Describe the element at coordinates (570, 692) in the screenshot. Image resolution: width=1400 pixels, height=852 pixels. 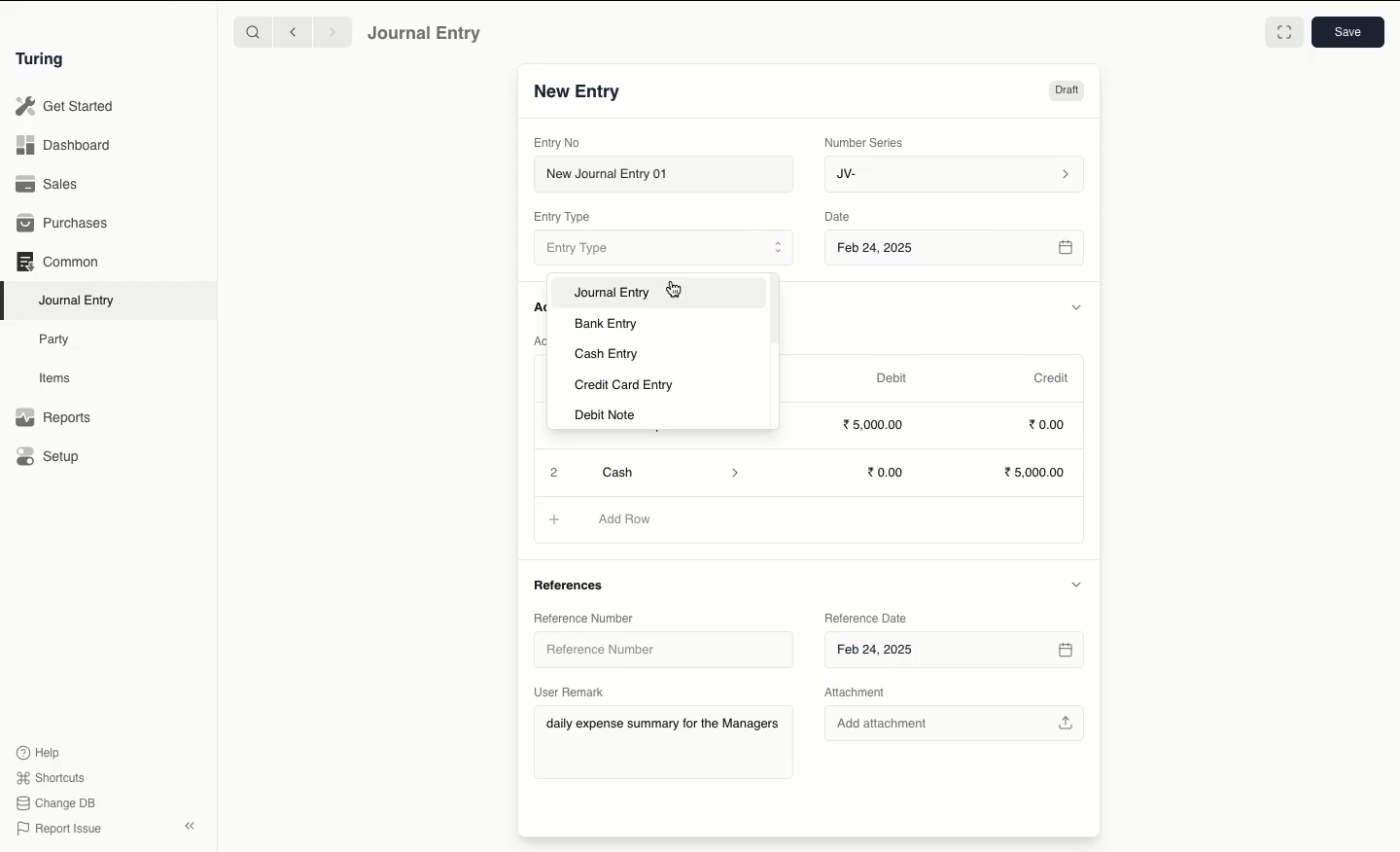
I see `User Remark` at that location.